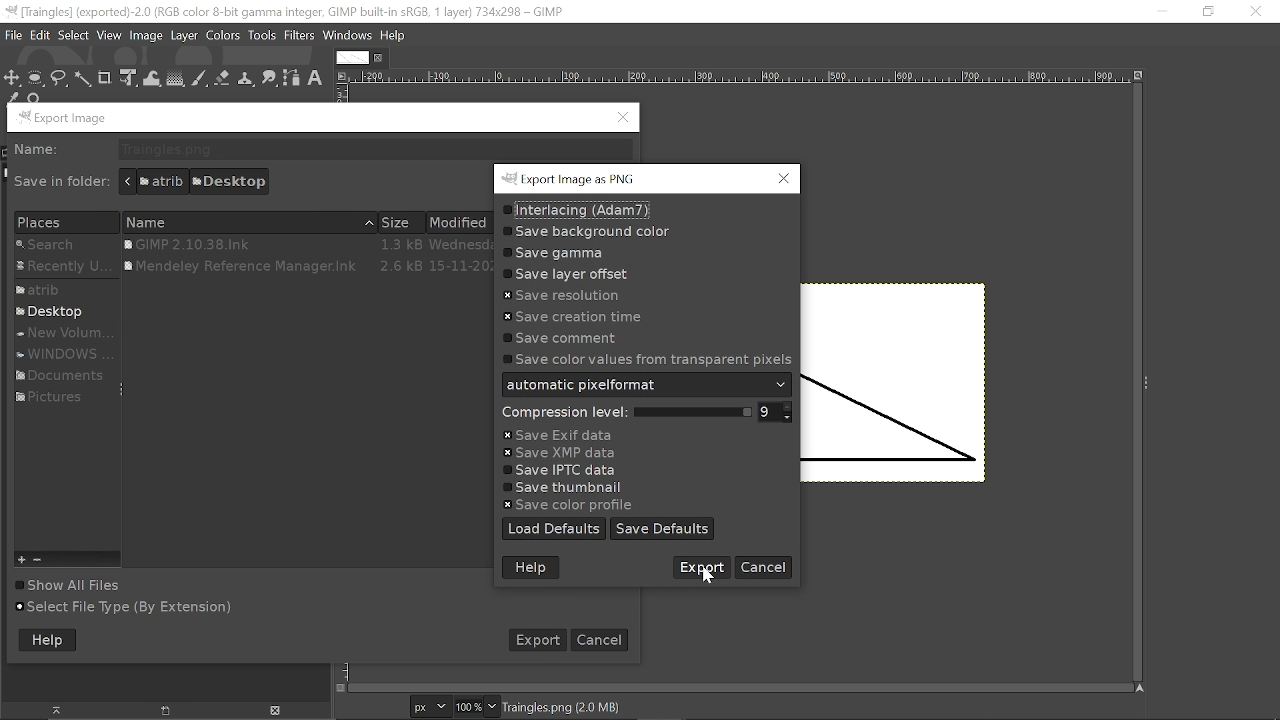 Image resolution: width=1280 pixels, height=720 pixels. I want to click on folder, so click(66, 291).